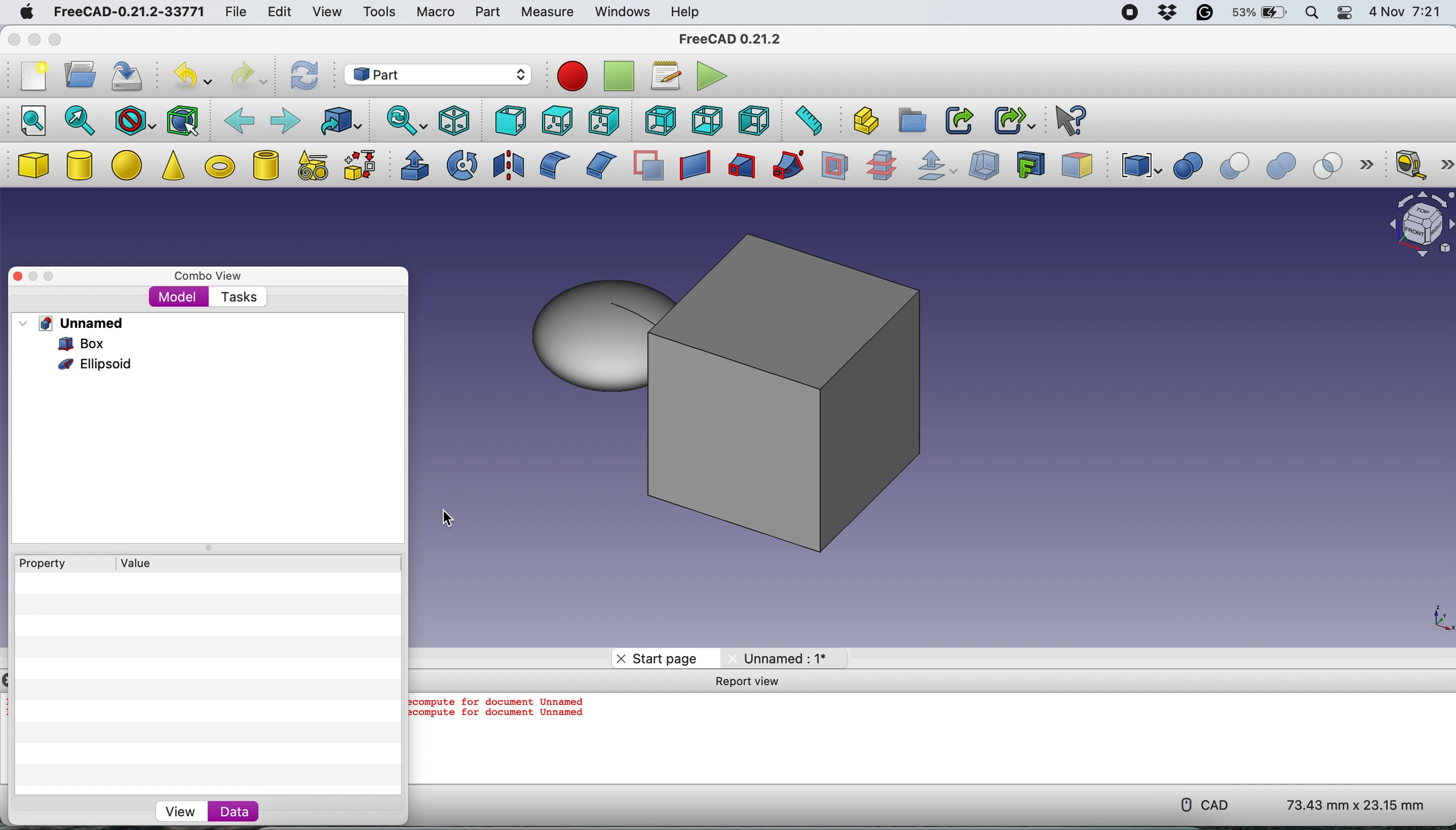 The height and width of the screenshot is (830, 1456). What do you see at coordinates (1237, 166) in the screenshot?
I see `cut` at bounding box center [1237, 166].